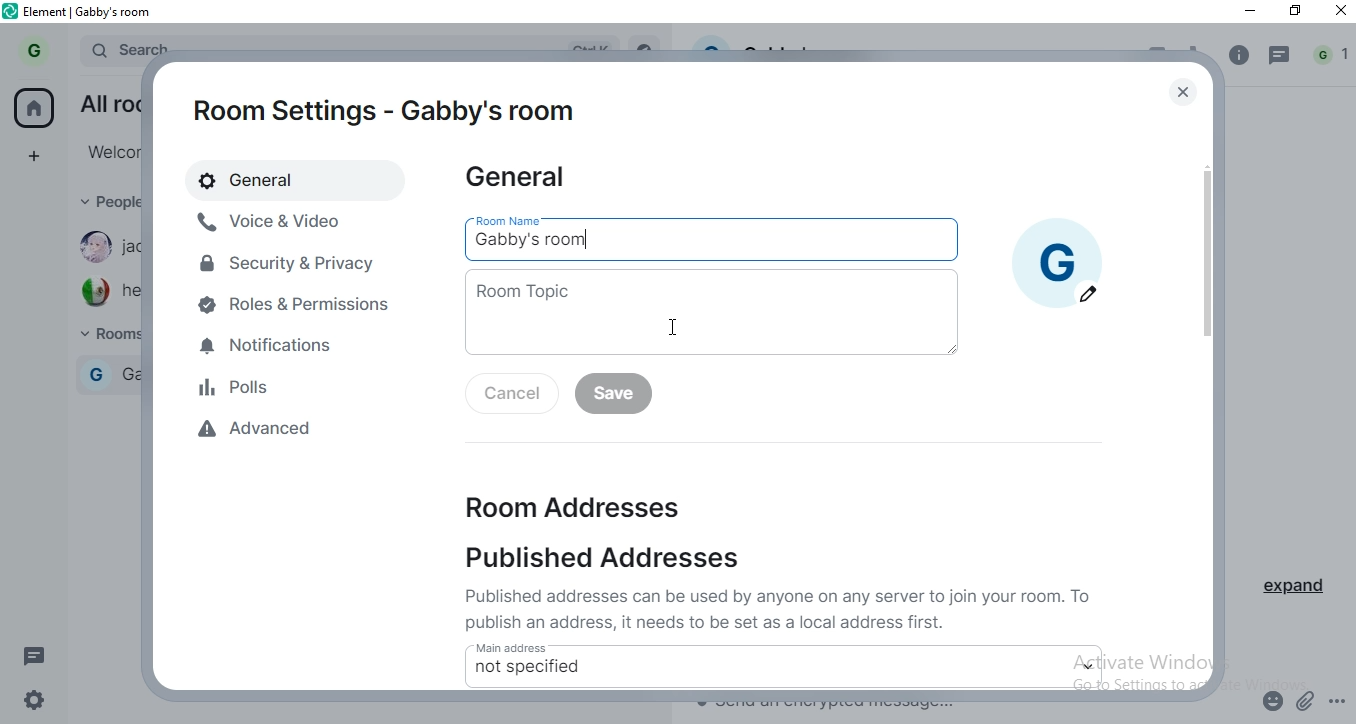  Describe the element at coordinates (1302, 591) in the screenshot. I see `expand` at that location.